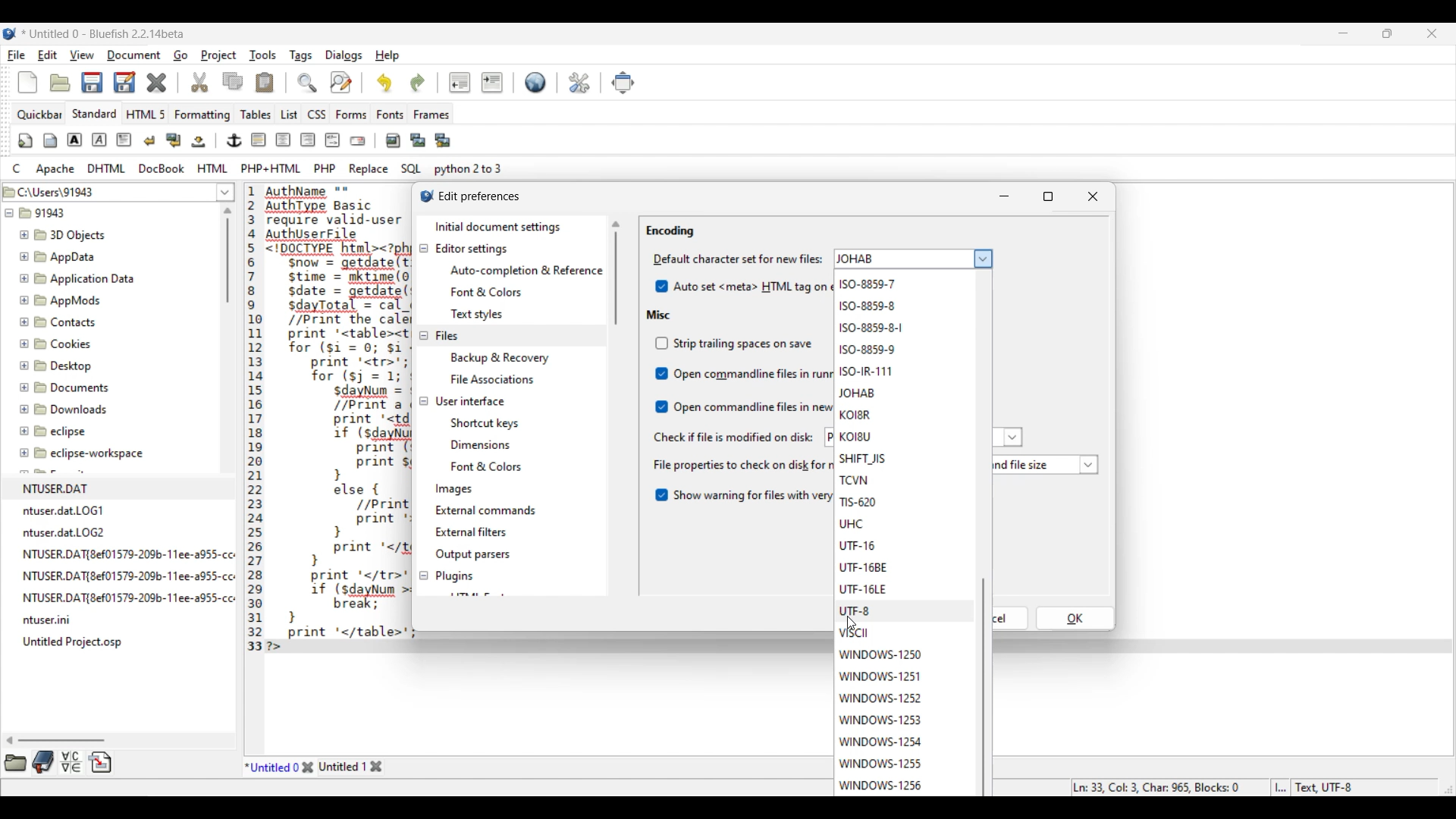  What do you see at coordinates (733, 438) in the screenshot?
I see `Indicates check if file is modified on disc` at bounding box center [733, 438].